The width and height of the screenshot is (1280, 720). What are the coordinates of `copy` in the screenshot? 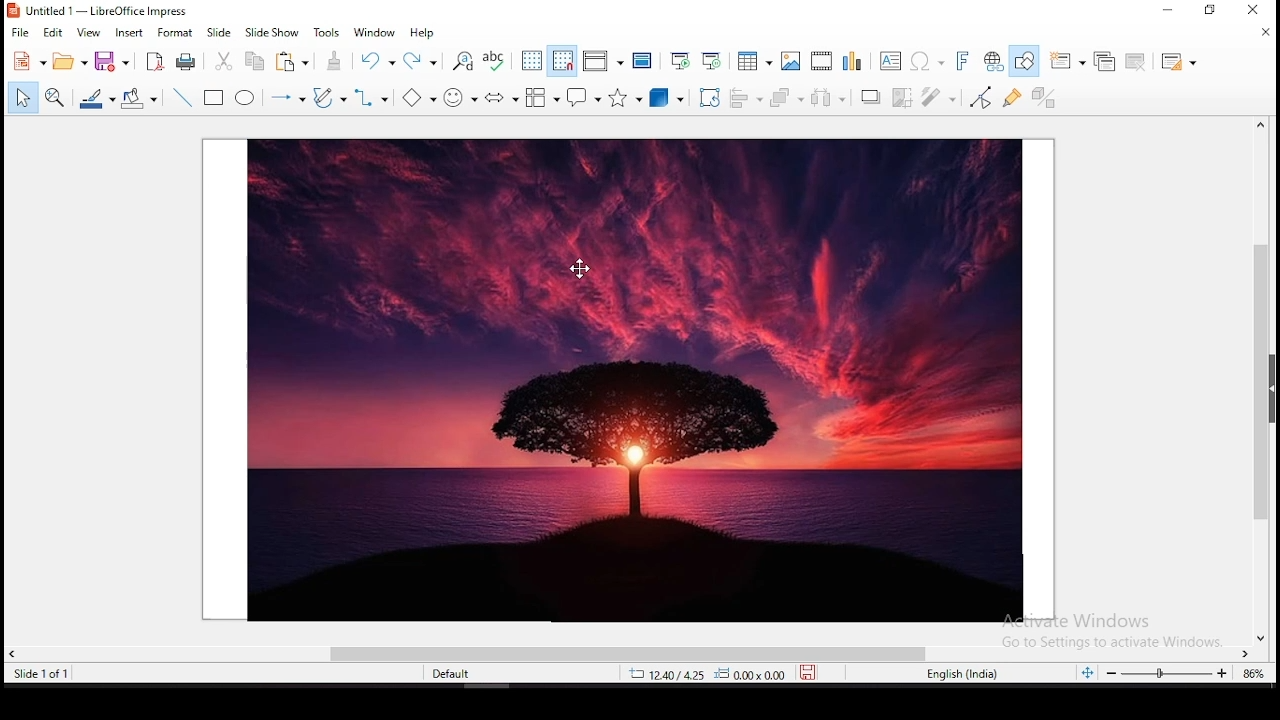 It's located at (254, 60).